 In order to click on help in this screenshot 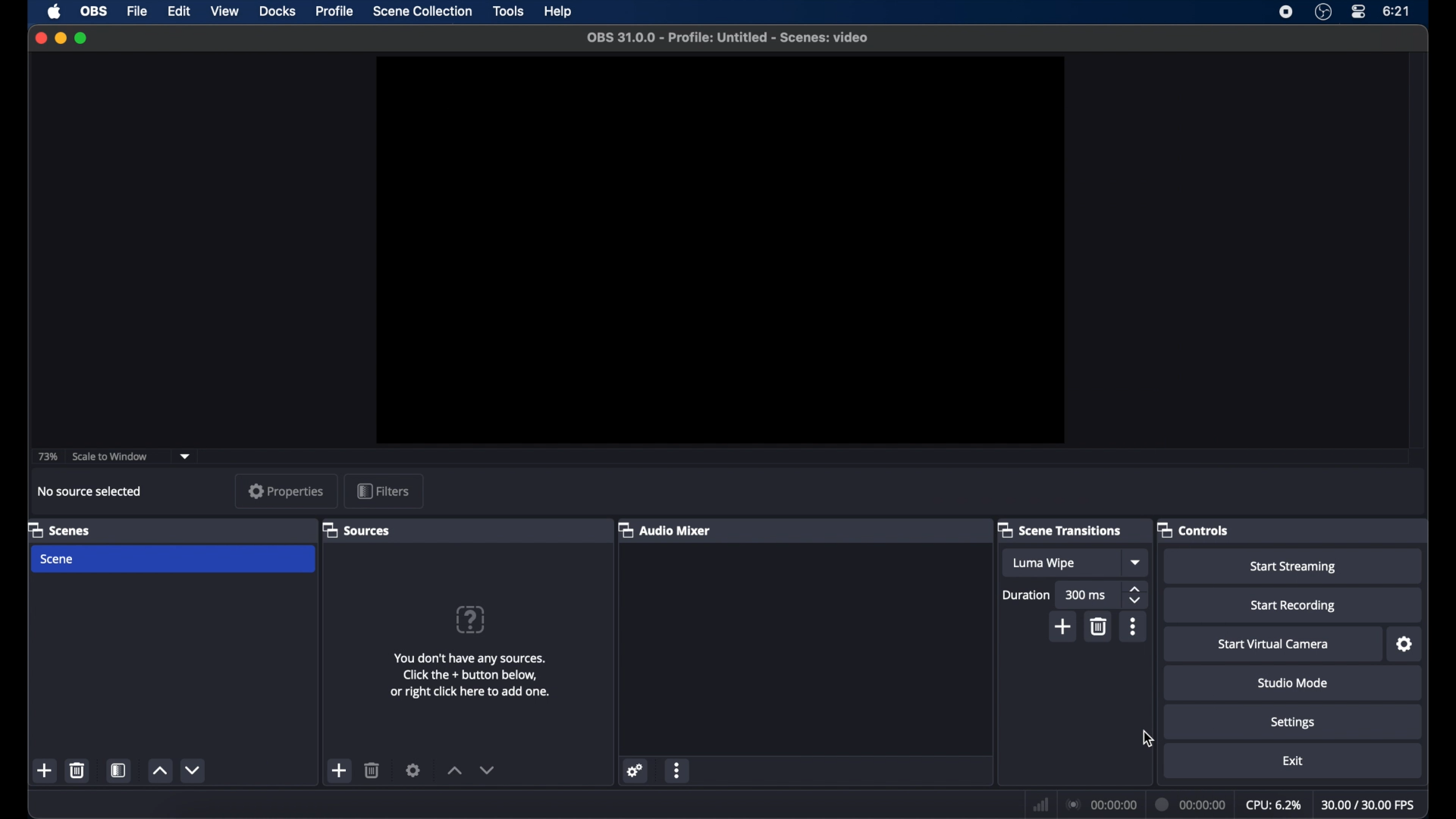, I will do `click(559, 12)`.